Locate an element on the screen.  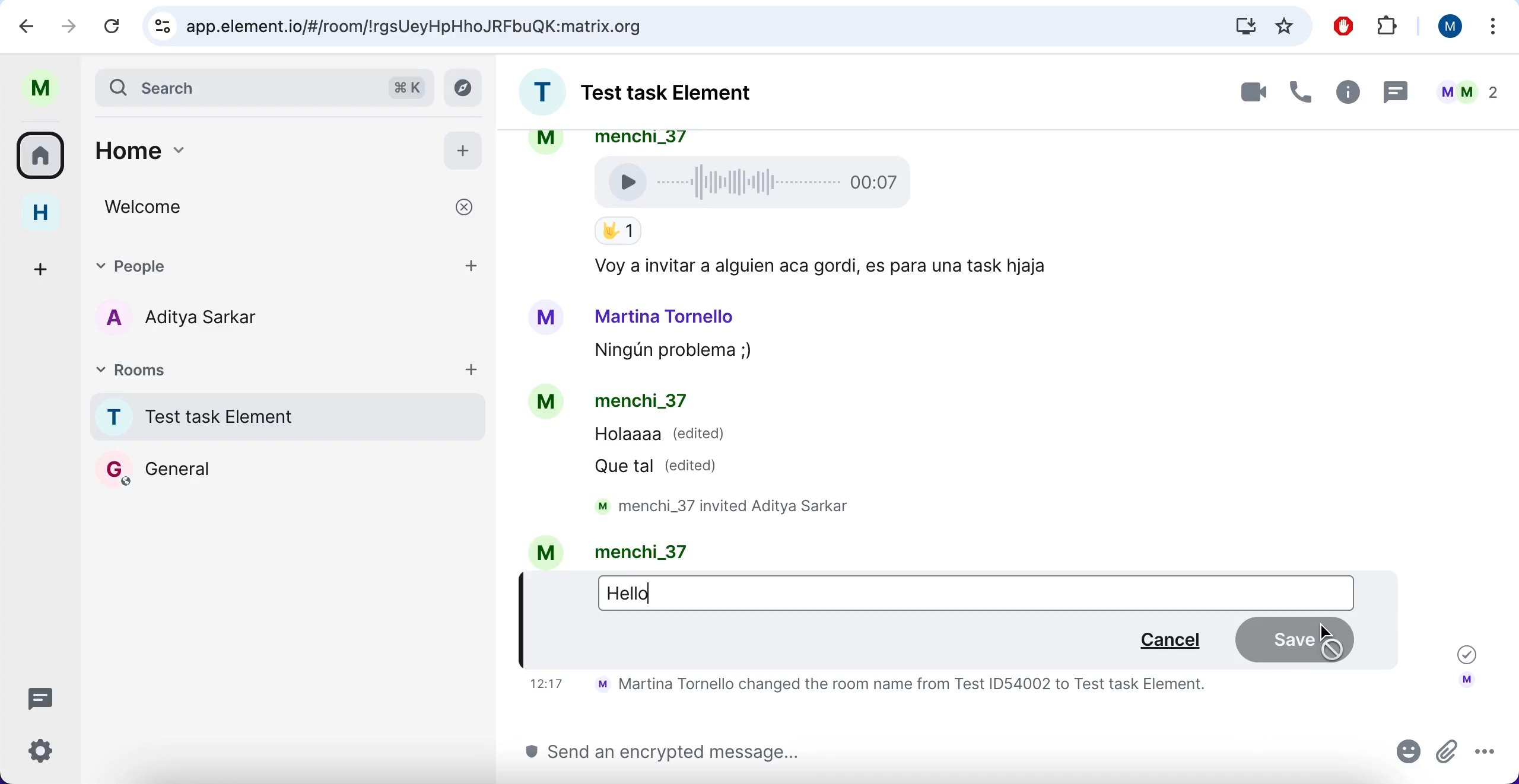
home is located at coordinates (39, 216).